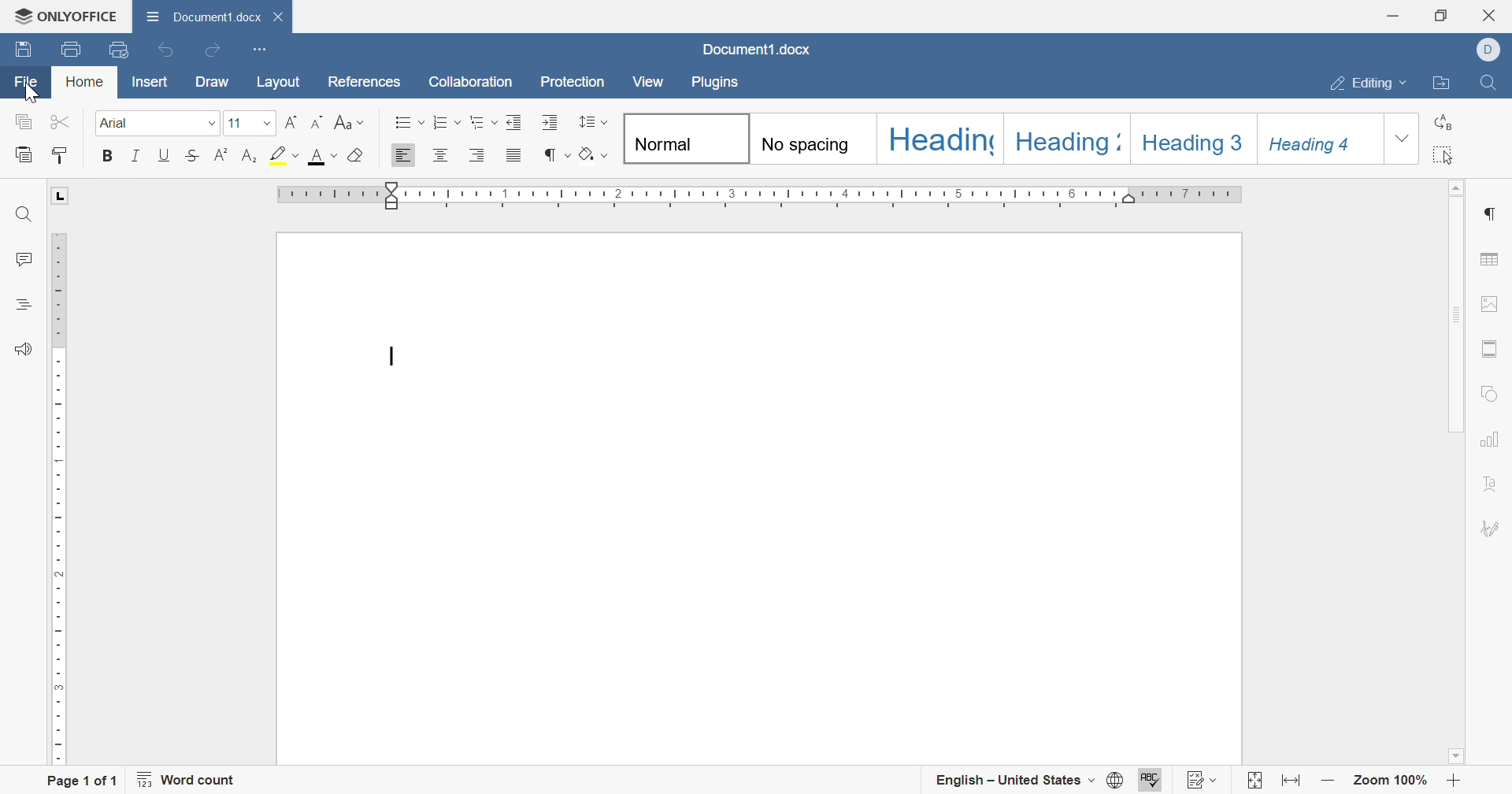  What do you see at coordinates (357, 156) in the screenshot?
I see `clear style` at bounding box center [357, 156].